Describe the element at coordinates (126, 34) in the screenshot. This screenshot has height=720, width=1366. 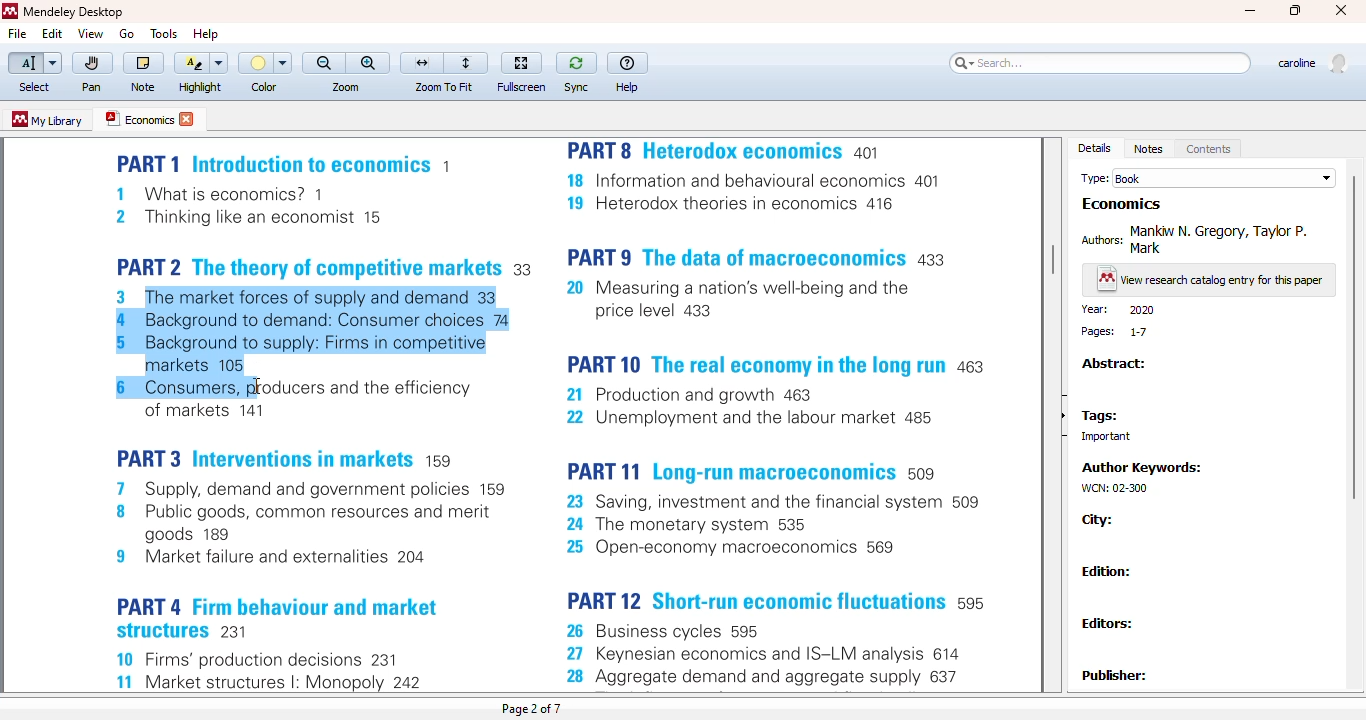
I see `go` at that location.